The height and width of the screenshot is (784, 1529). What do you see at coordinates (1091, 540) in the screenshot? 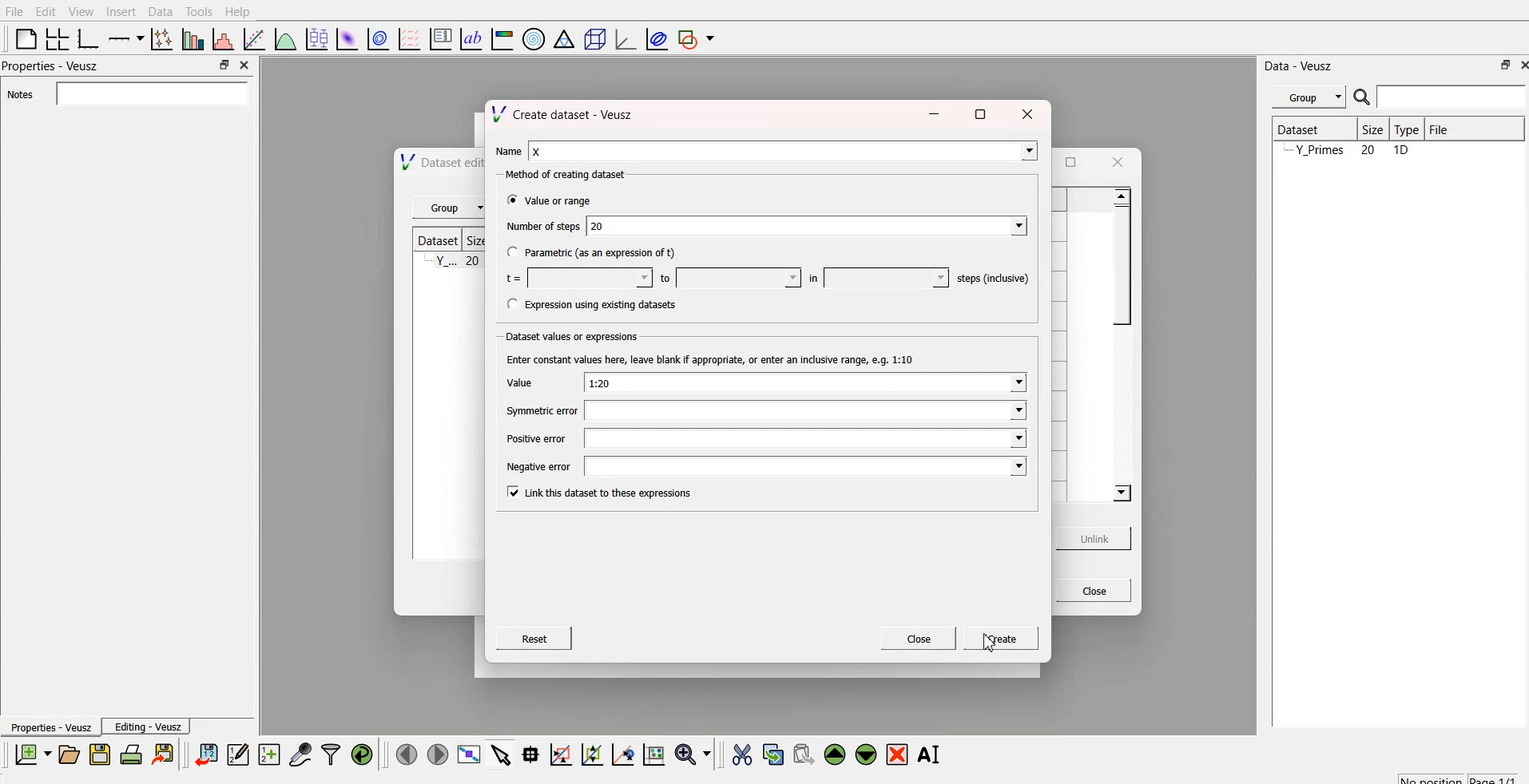
I see `unlink` at bounding box center [1091, 540].